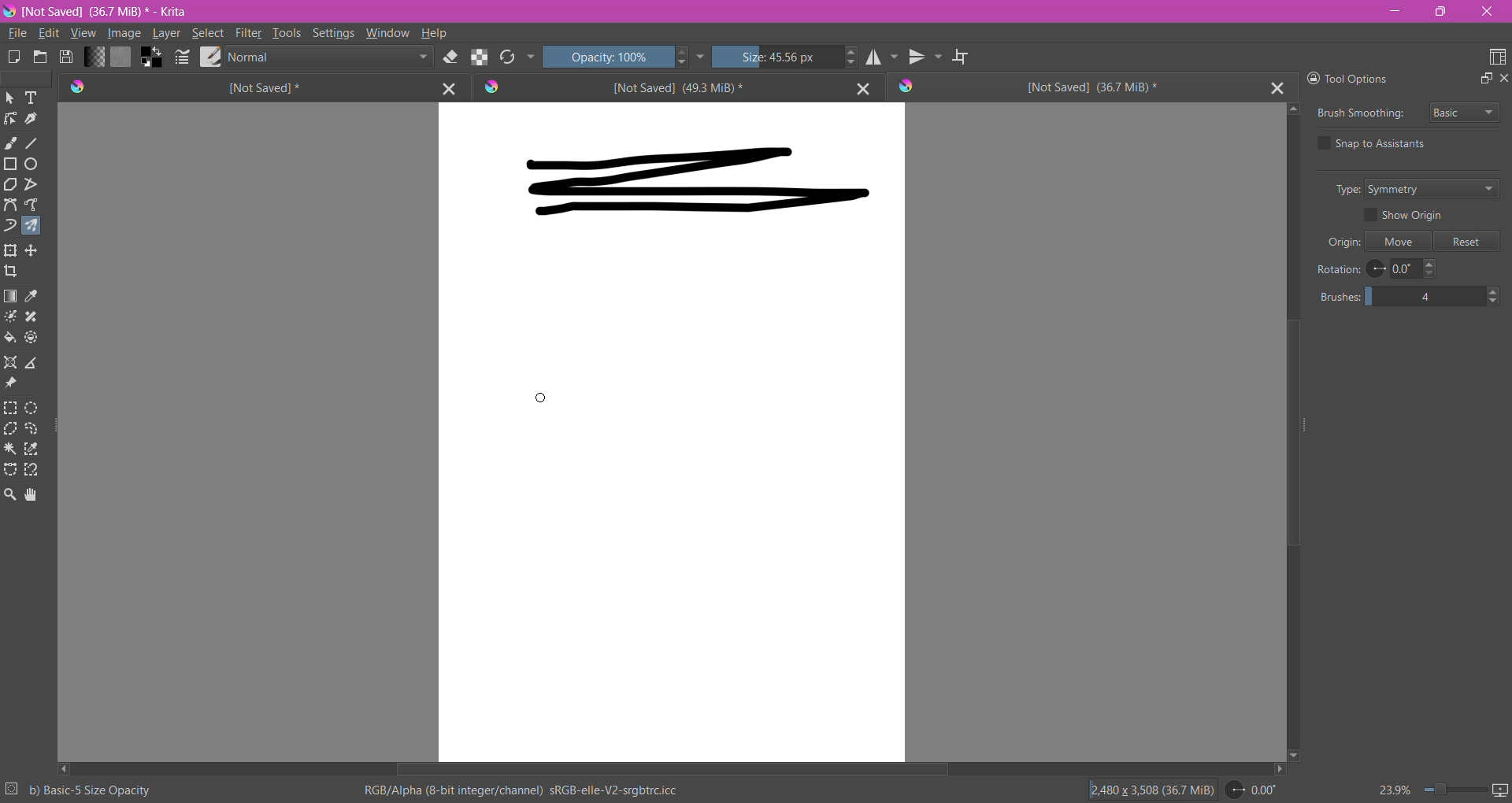 Image resolution: width=1512 pixels, height=803 pixels. I want to click on Close, so click(1486, 13).